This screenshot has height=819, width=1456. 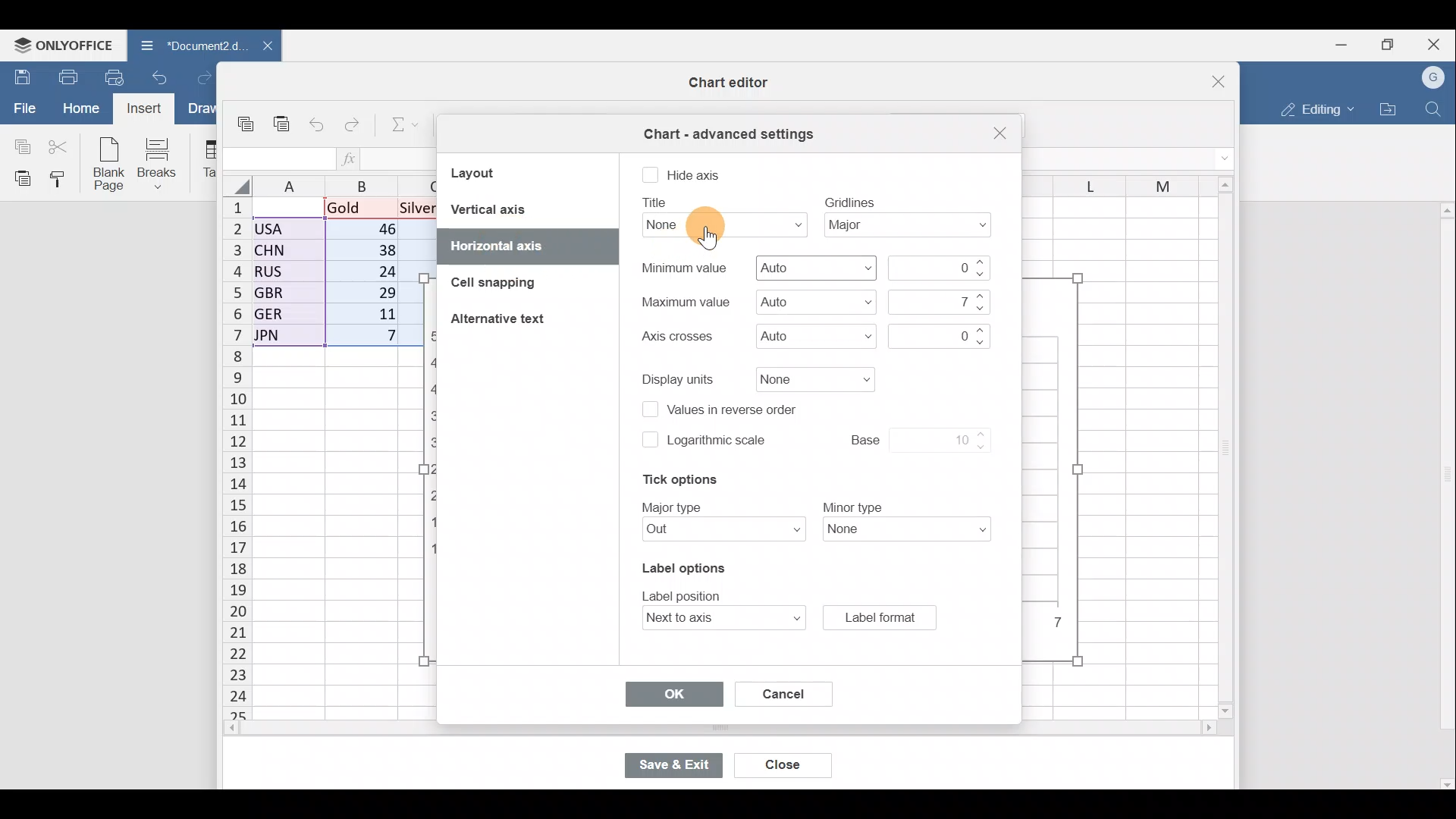 I want to click on Home, so click(x=78, y=109).